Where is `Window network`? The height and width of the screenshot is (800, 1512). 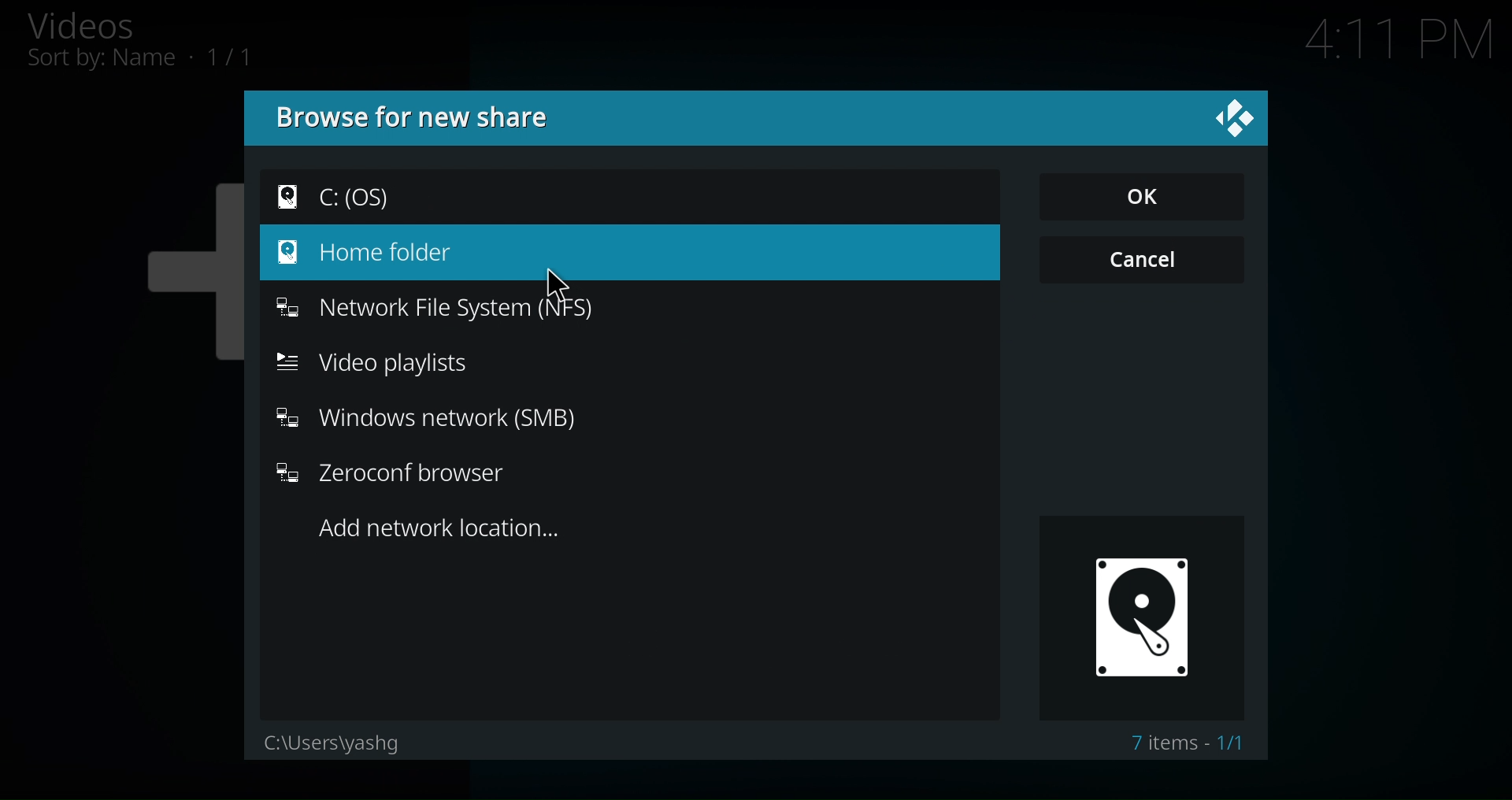
Window network is located at coordinates (424, 417).